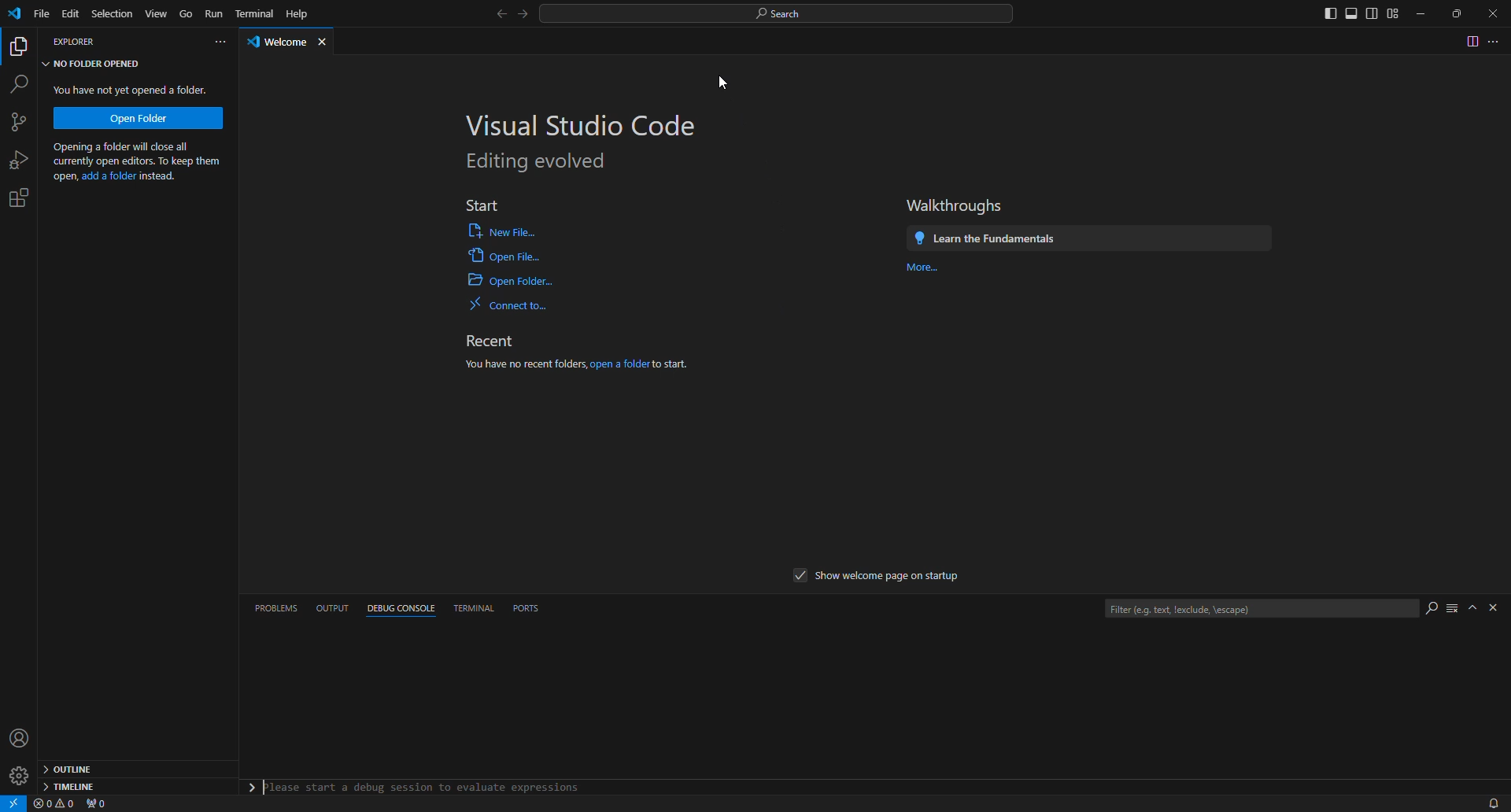 The width and height of the screenshot is (1511, 812). Describe the element at coordinates (1494, 13) in the screenshot. I see `close` at that location.